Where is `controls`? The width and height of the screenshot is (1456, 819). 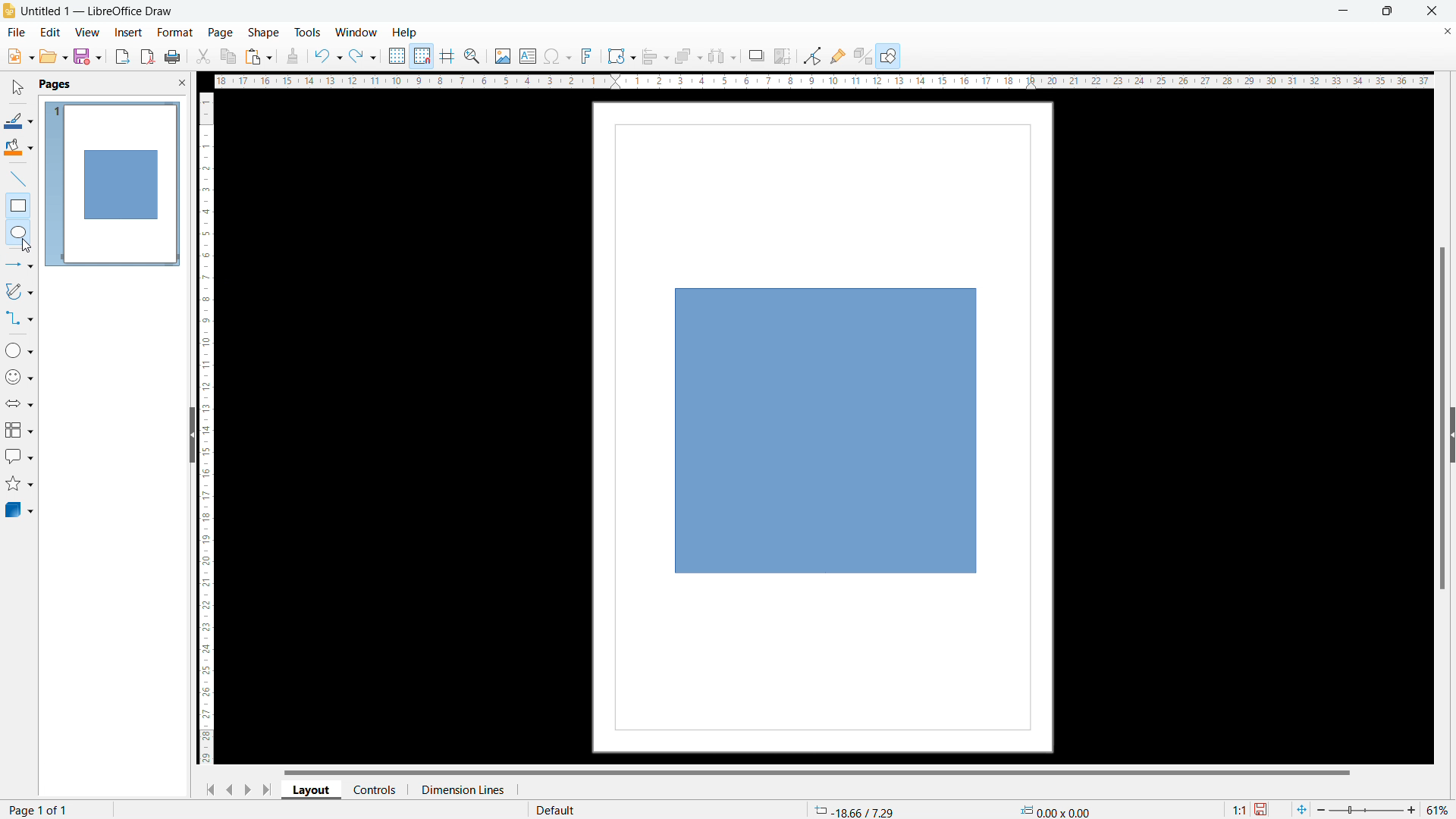
controls is located at coordinates (376, 789).